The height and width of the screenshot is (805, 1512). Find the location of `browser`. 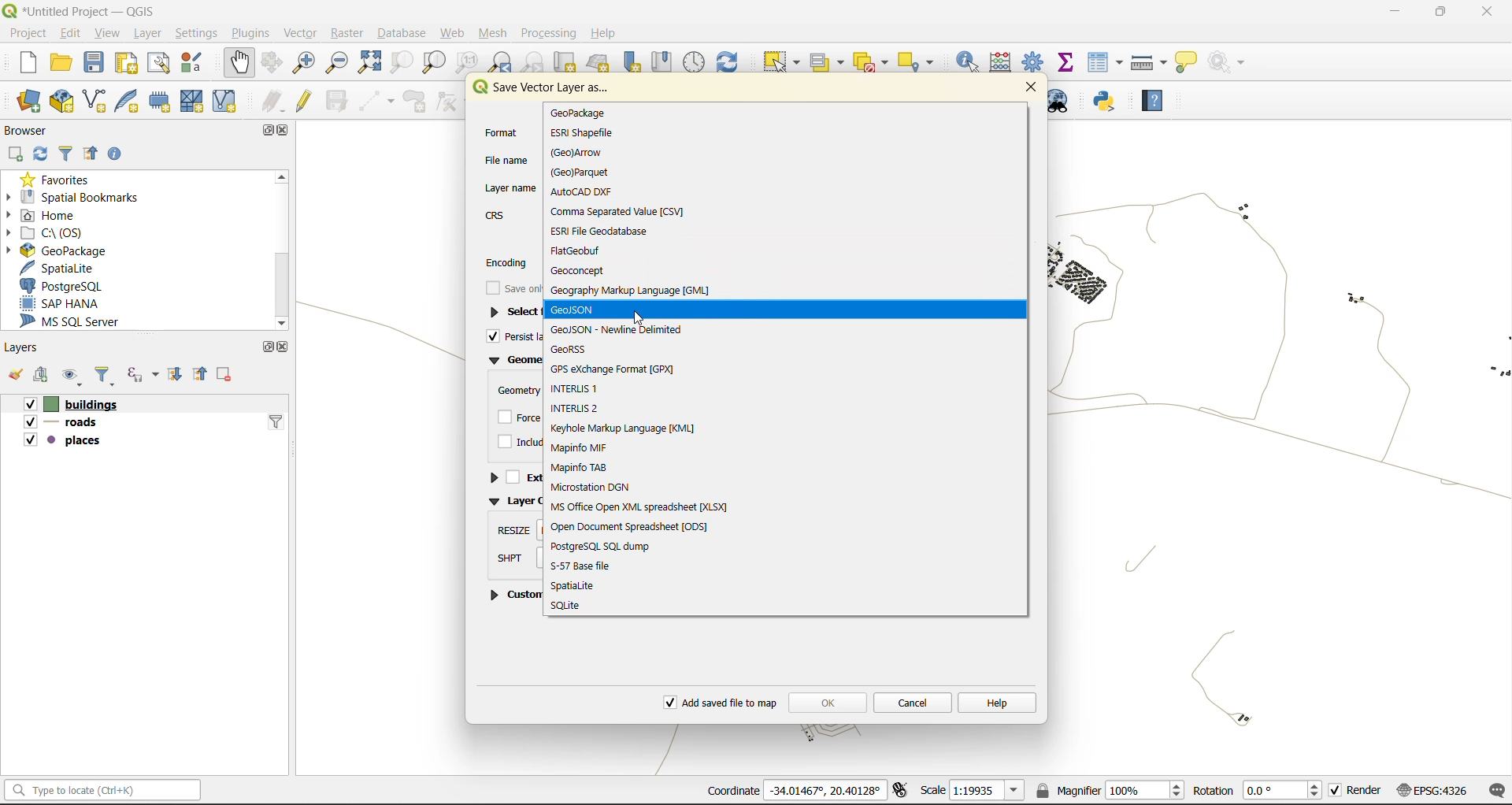

browser is located at coordinates (32, 130).